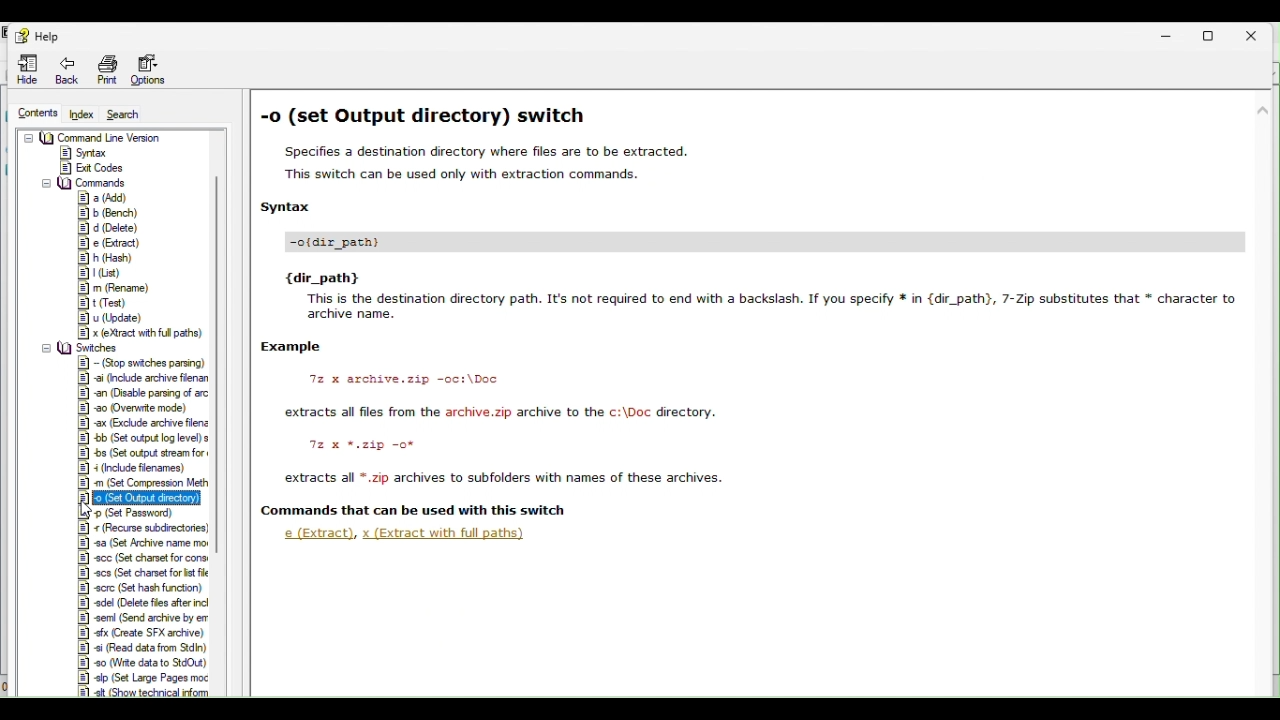 This screenshot has height=720, width=1280. What do you see at coordinates (95, 509) in the screenshot?
I see `cursor` at bounding box center [95, 509].